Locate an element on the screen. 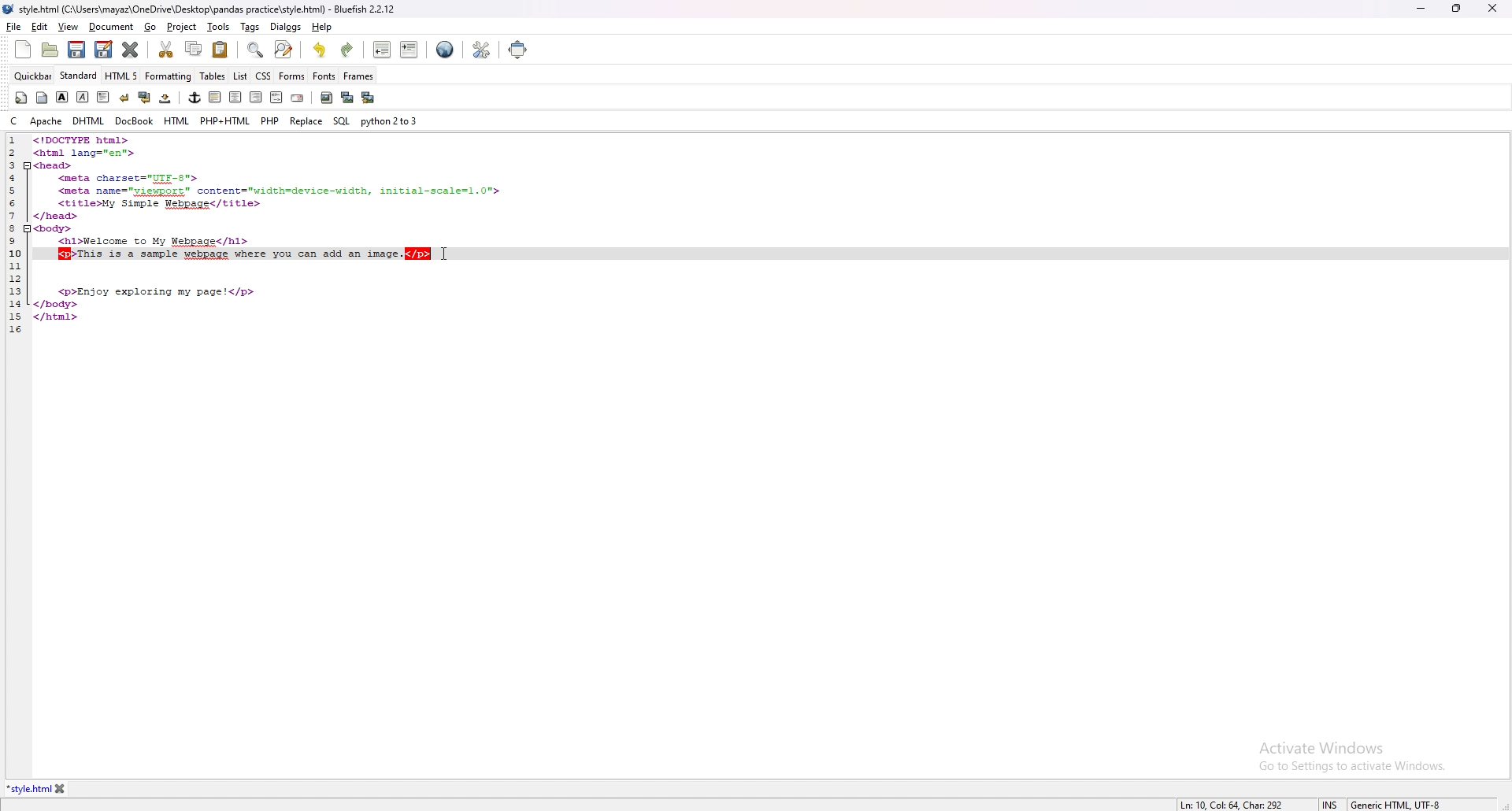 Image resolution: width=1512 pixels, height=811 pixels. cursor is located at coordinates (449, 254).